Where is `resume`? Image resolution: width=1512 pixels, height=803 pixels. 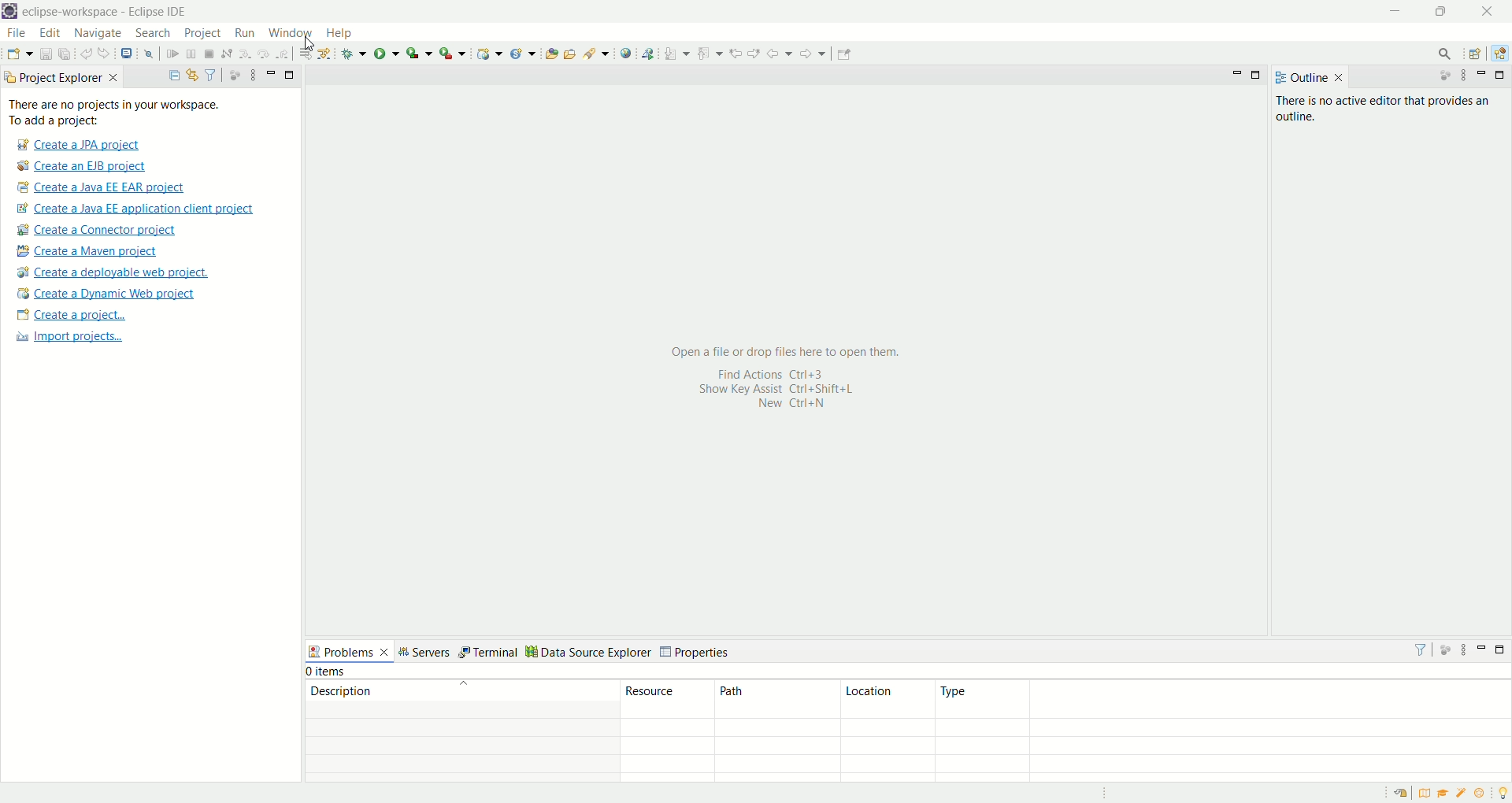 resume is located at coordinates (172, 53).